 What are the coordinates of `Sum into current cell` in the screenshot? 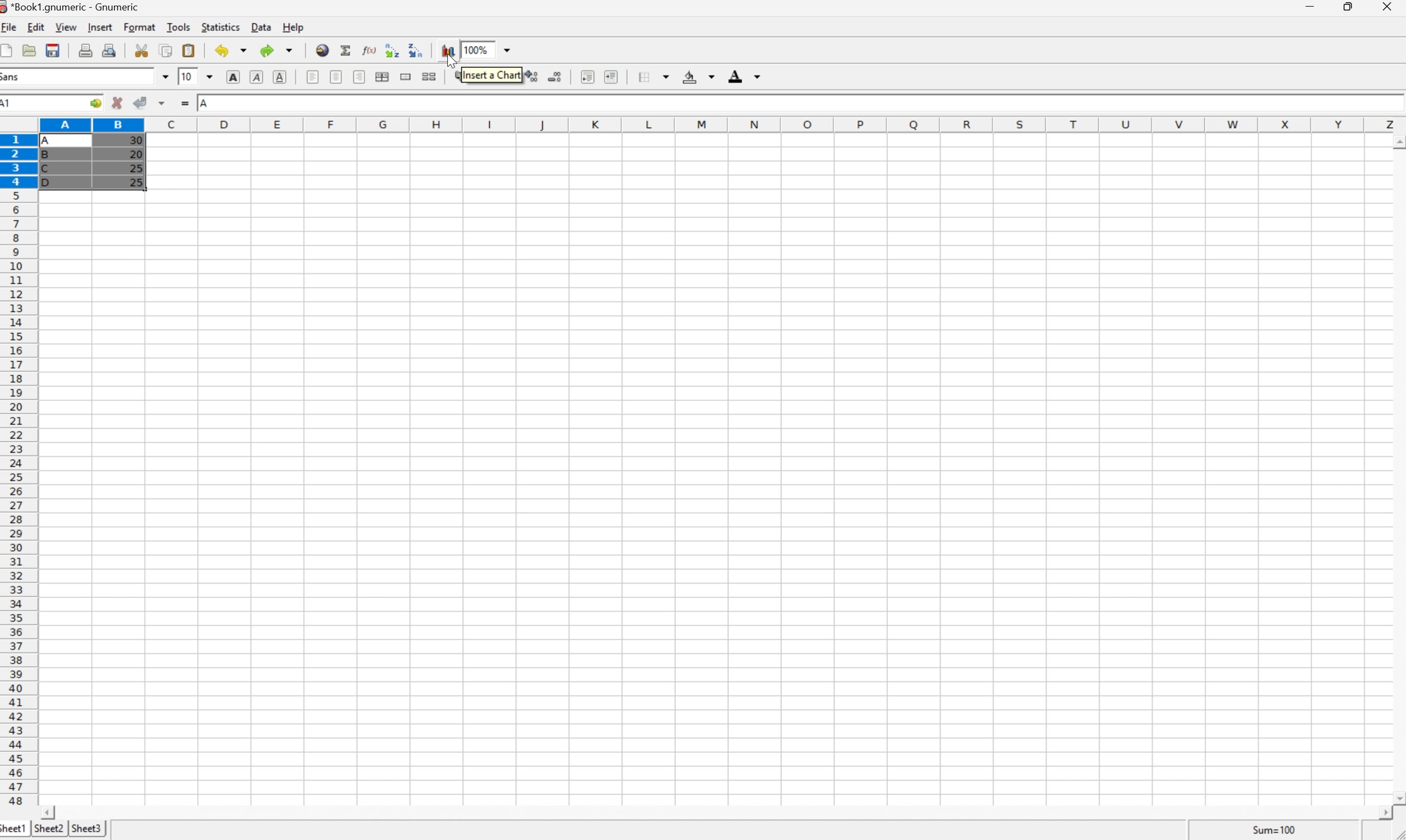 It's located at (347, 49).